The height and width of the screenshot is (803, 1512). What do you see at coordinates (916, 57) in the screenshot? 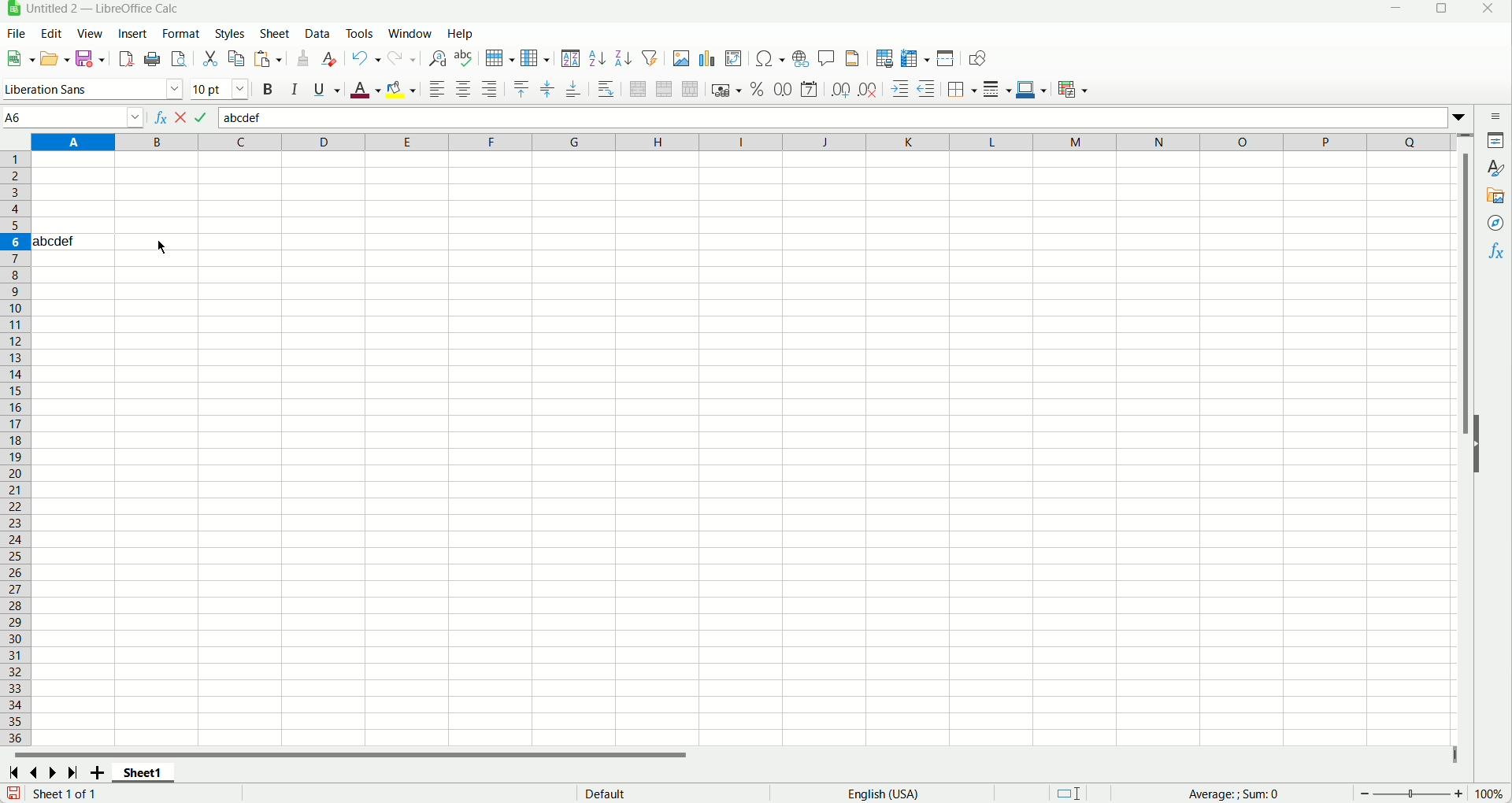
I see `freeze rows and column` at bounding box center [916, 57].